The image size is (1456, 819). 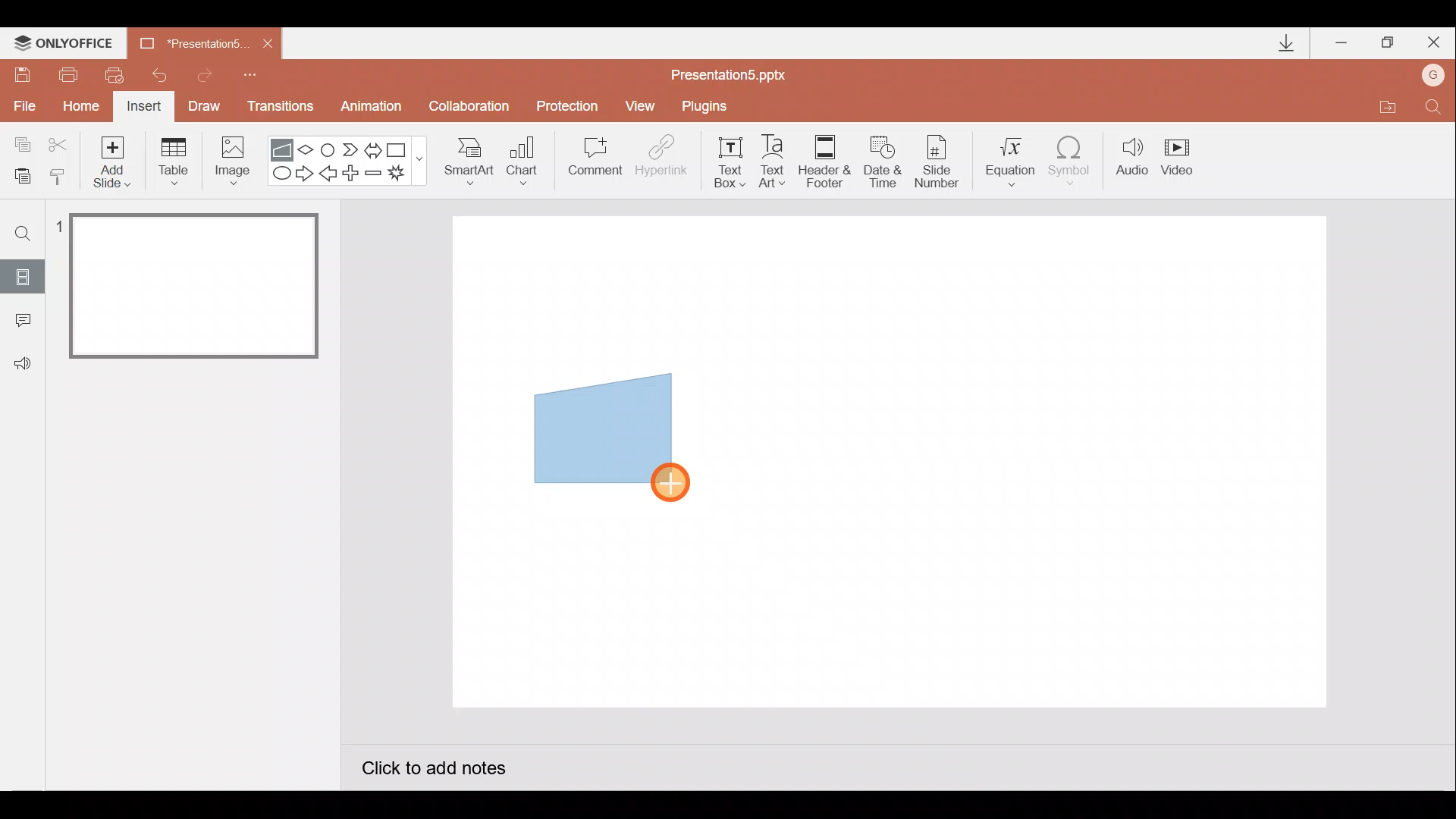 I want to click on Left arrow, so click(x=329, y=175).